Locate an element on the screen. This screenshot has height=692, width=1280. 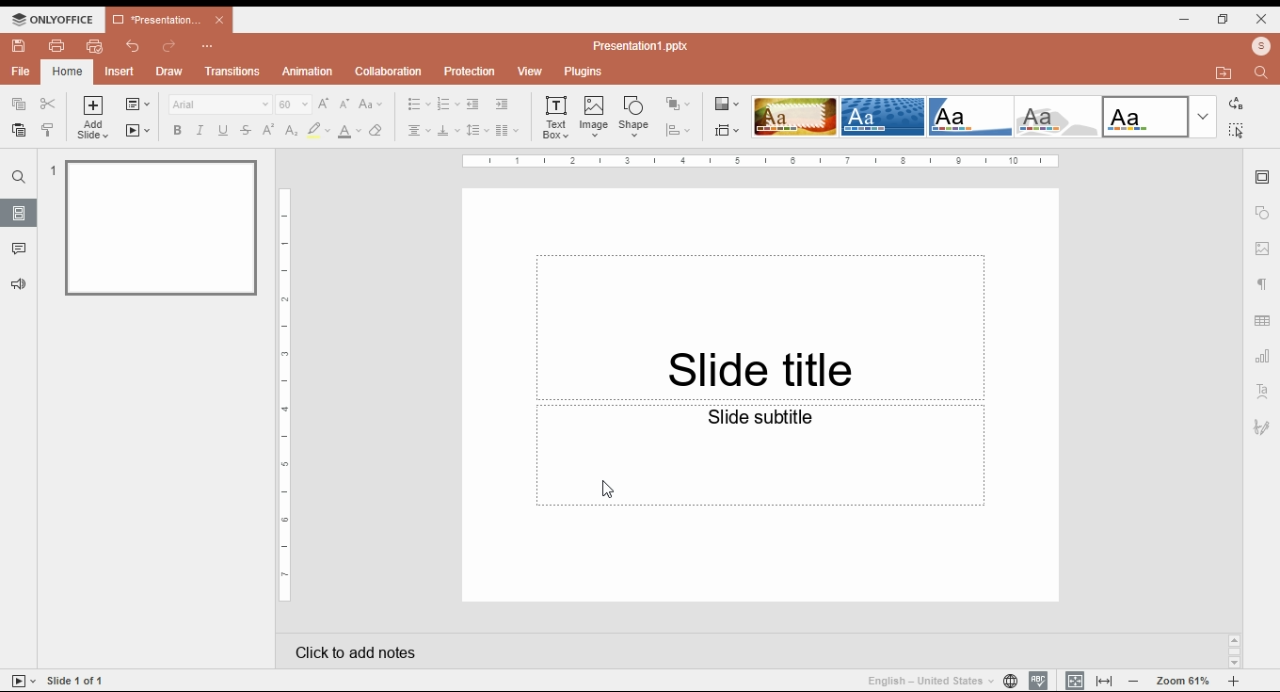
bold is located at coordinates (176, 130).